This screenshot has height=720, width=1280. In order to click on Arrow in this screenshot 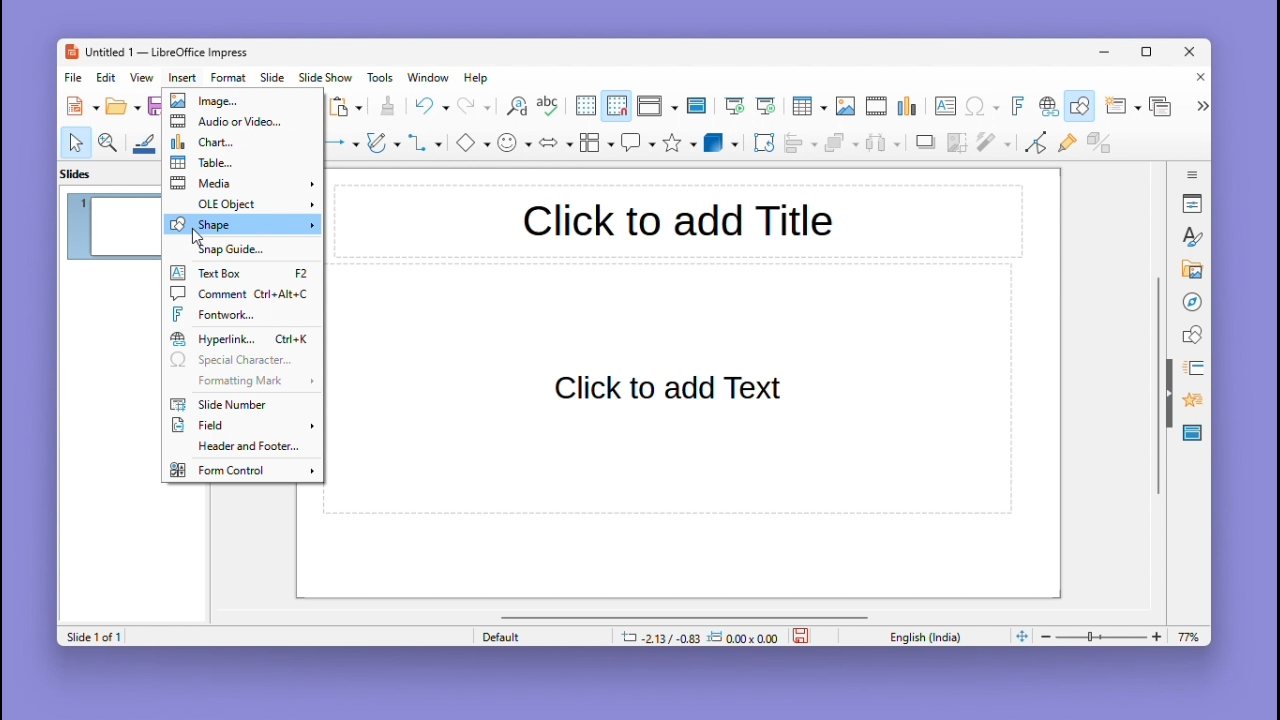, I will do `click(339, 143)`.